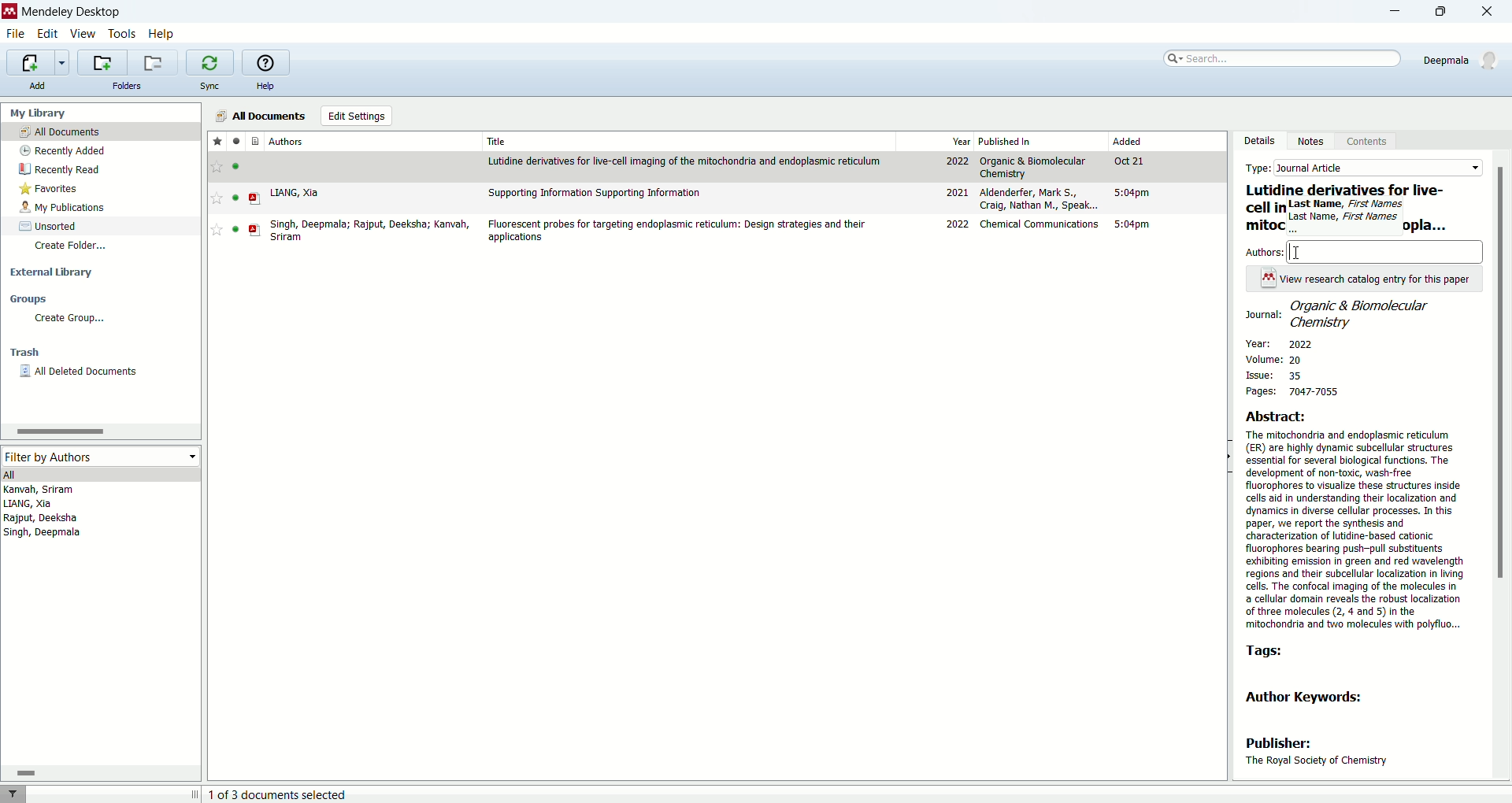 The height and width of the screenshot is (803, 1512). Describe the element at coordinates (47, 35) in the screenshot. I see `edit` at that location.